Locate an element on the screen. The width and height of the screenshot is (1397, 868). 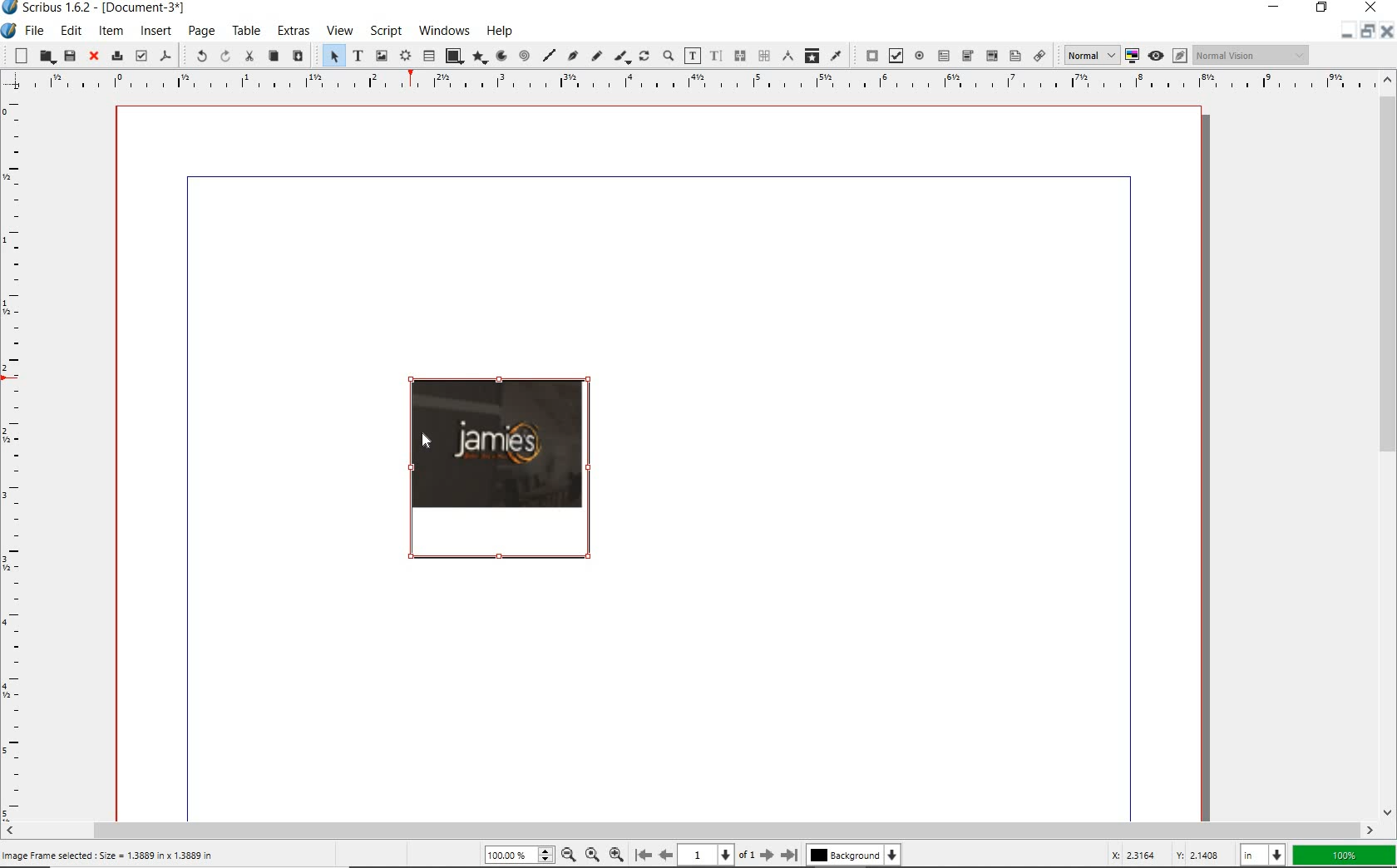
cut is located at coordinates (249, 57).